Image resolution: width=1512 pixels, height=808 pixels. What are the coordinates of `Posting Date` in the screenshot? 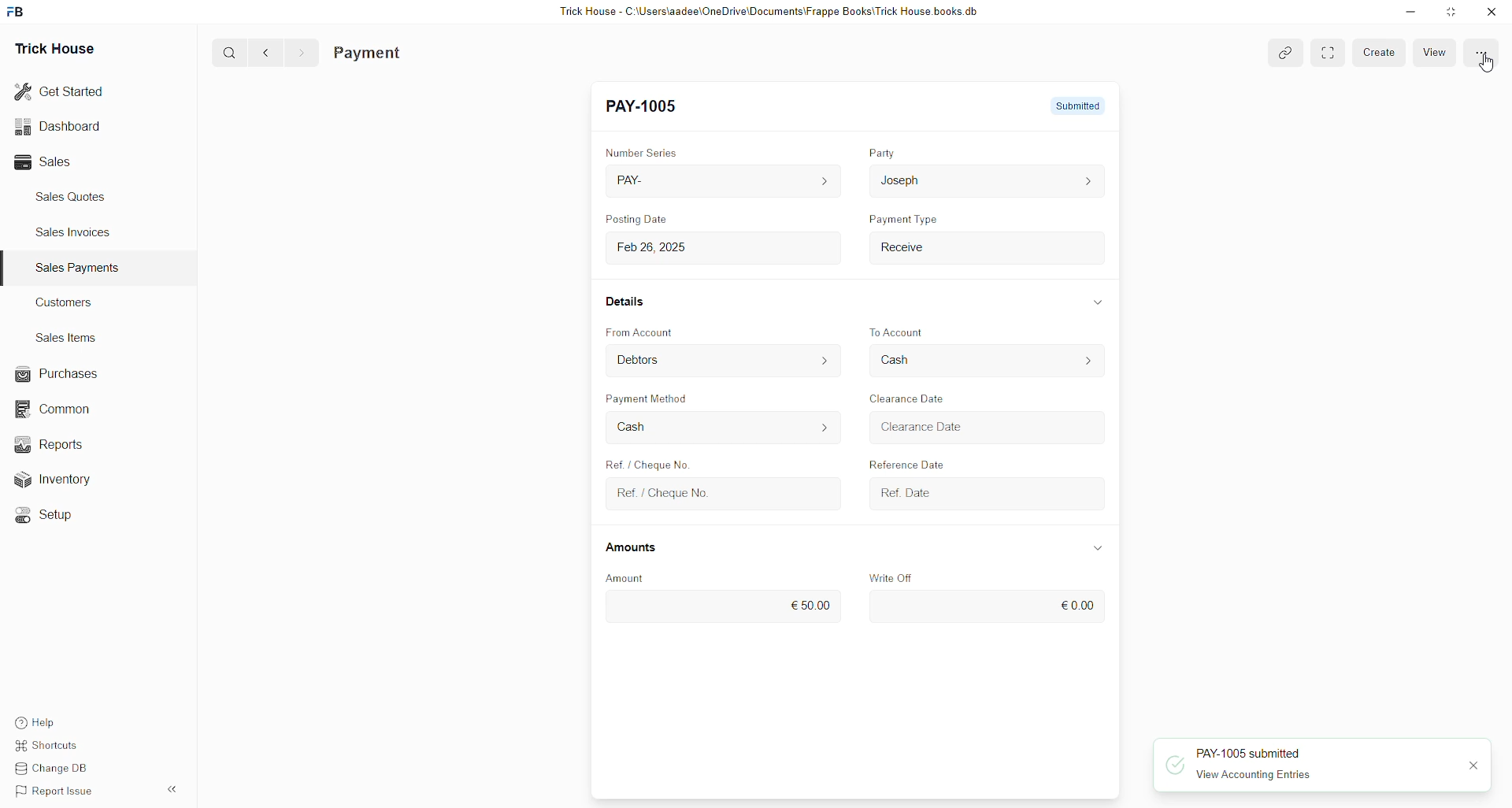 It's located at (636, 218).